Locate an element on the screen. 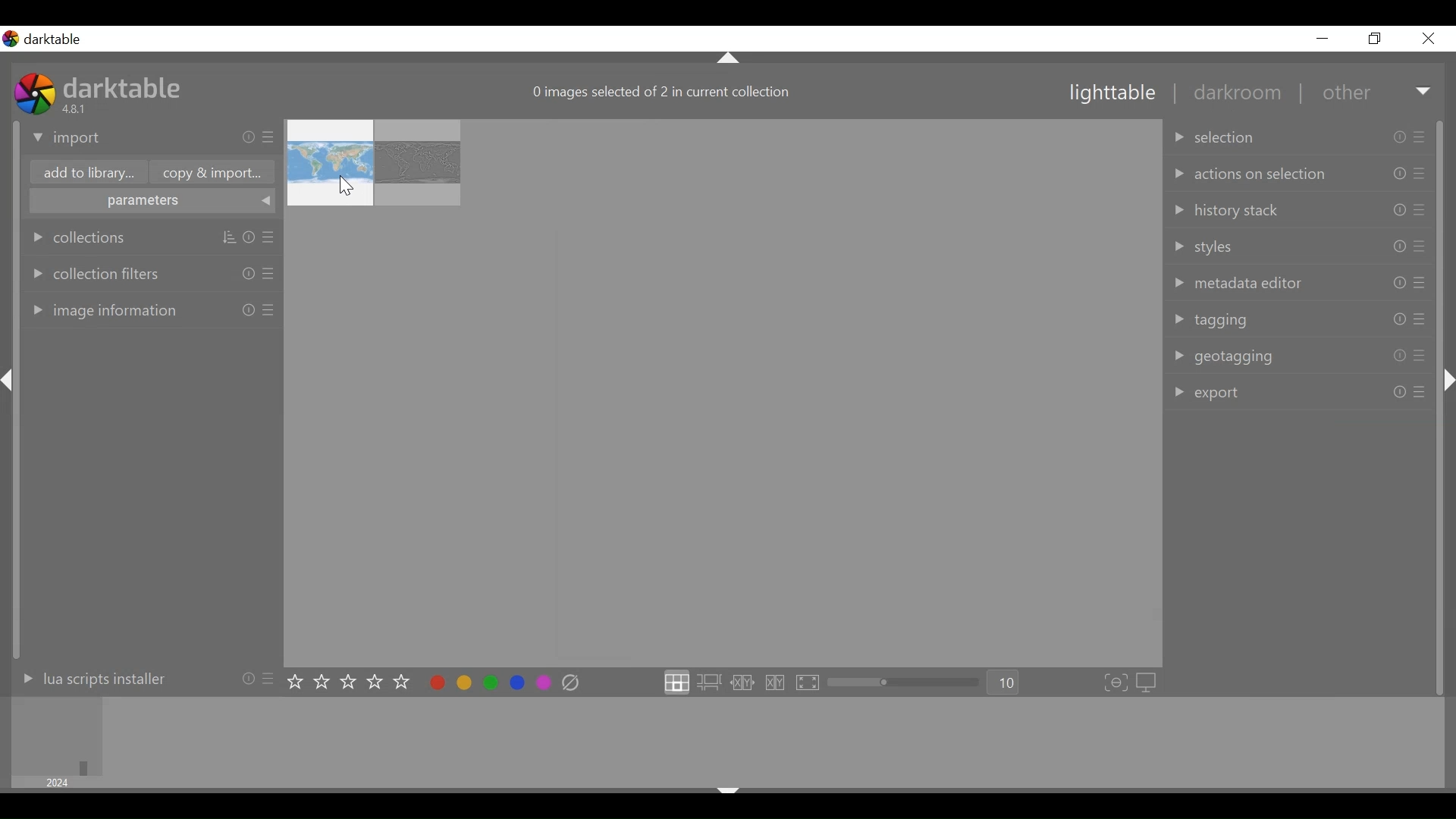  tagging is located at coordinates (1301, 318).